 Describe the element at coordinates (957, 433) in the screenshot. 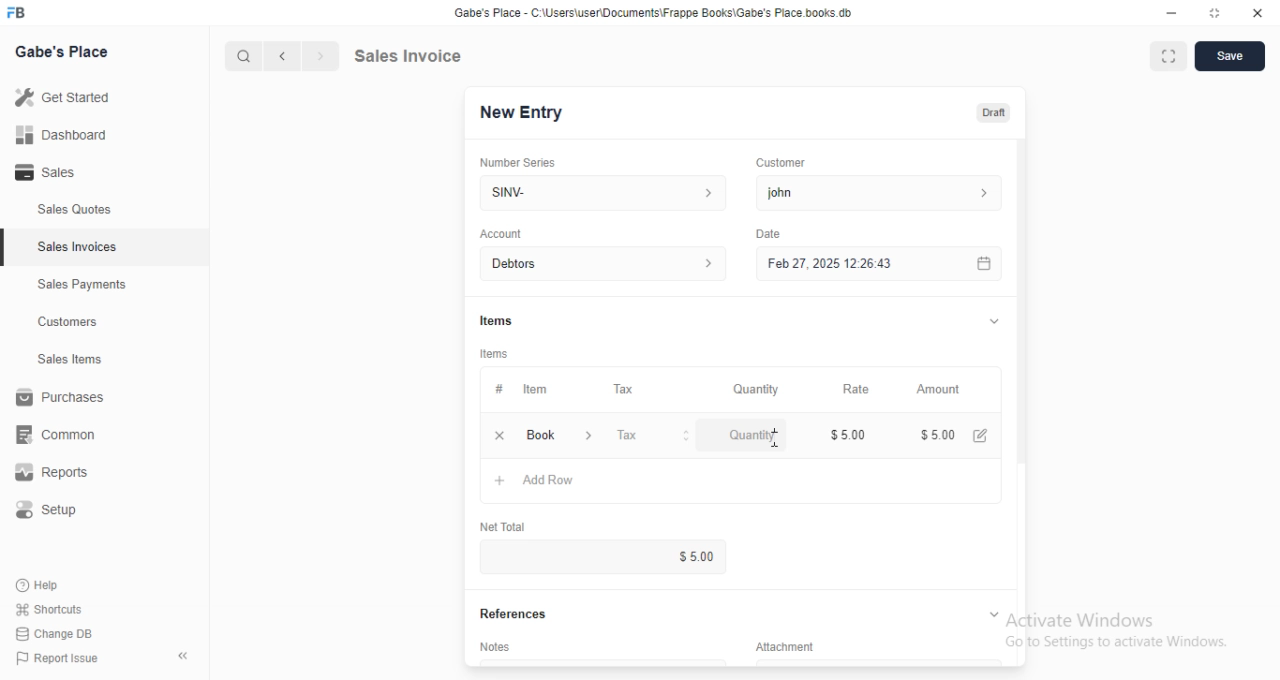

I see `$5.00` at that location.